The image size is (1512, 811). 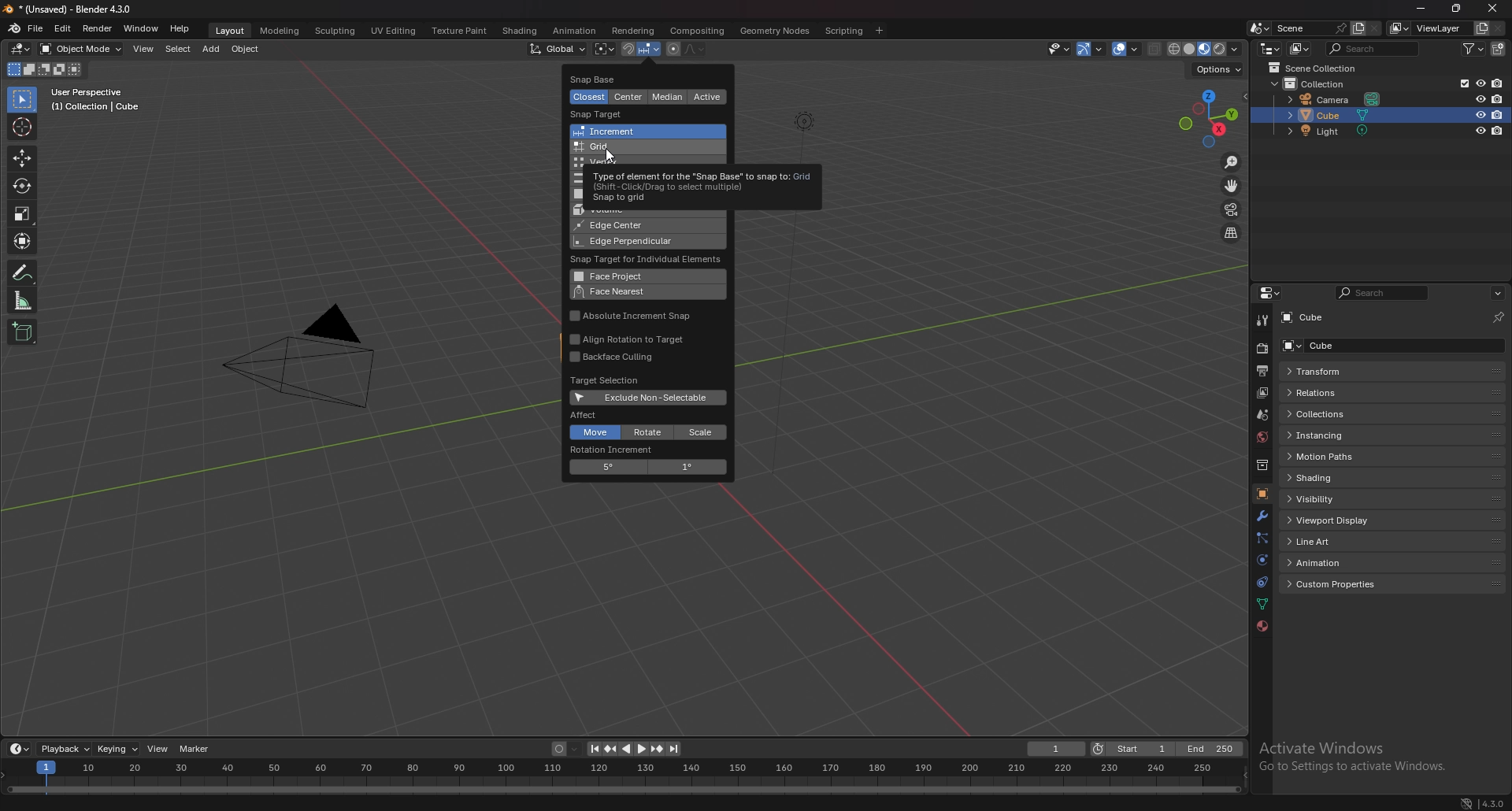 I want to click on world, so click(x=1262, y=438).